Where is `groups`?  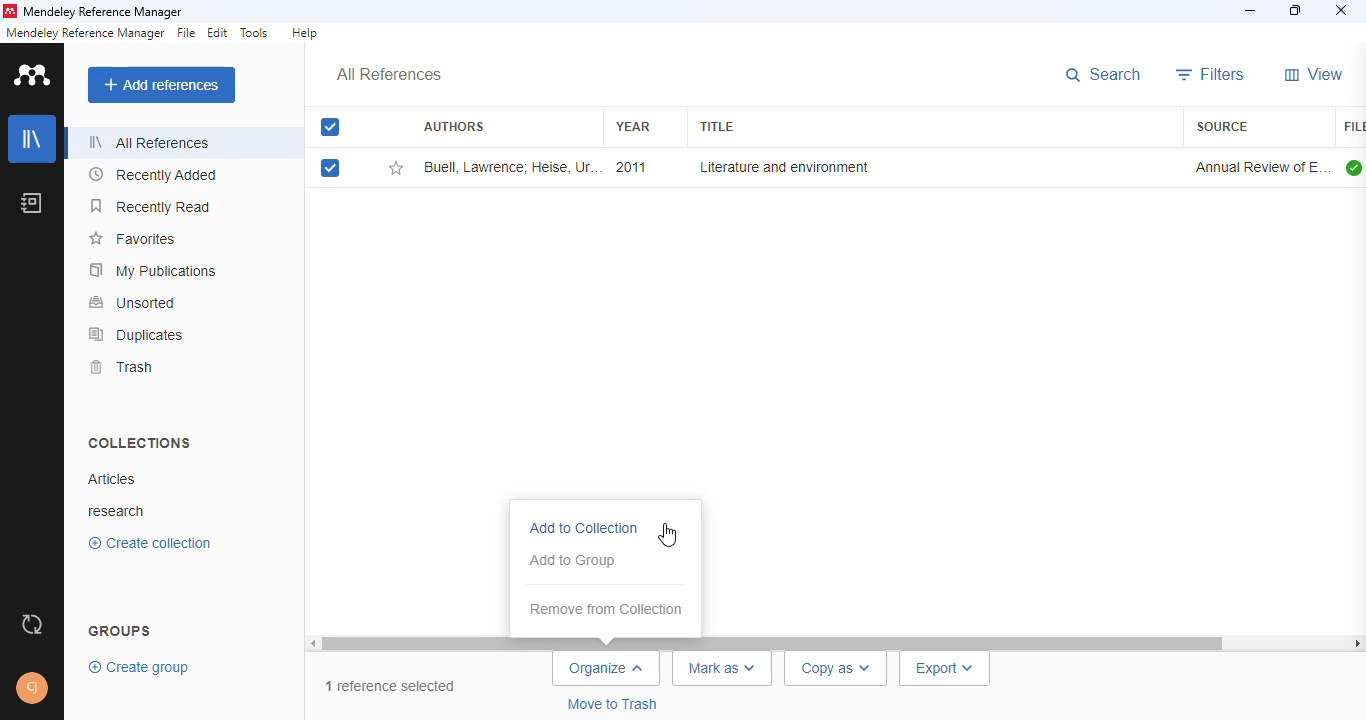 groups is located at coordinates (120, 628).